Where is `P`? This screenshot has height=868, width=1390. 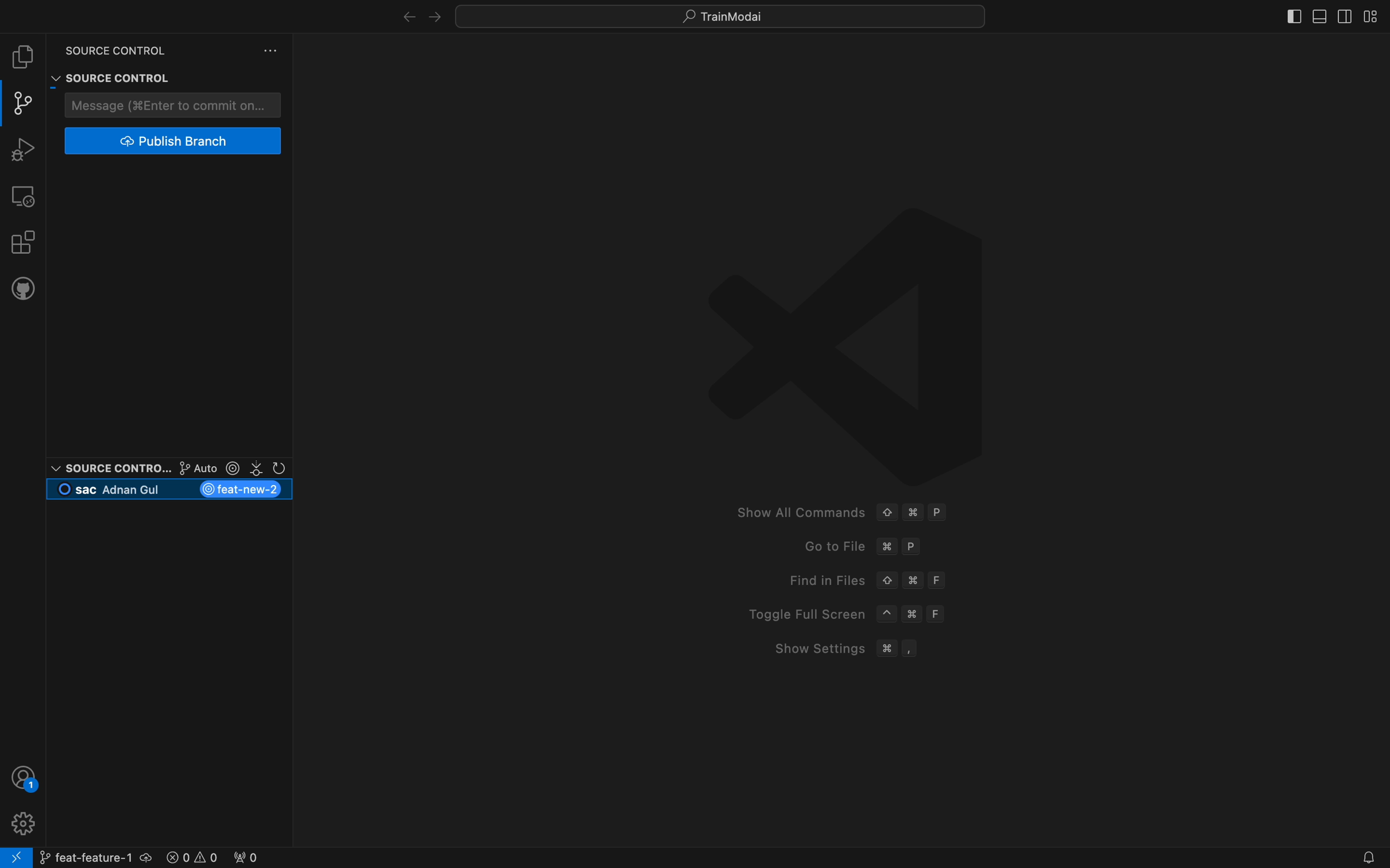 P is located at coordinates (940, 513).